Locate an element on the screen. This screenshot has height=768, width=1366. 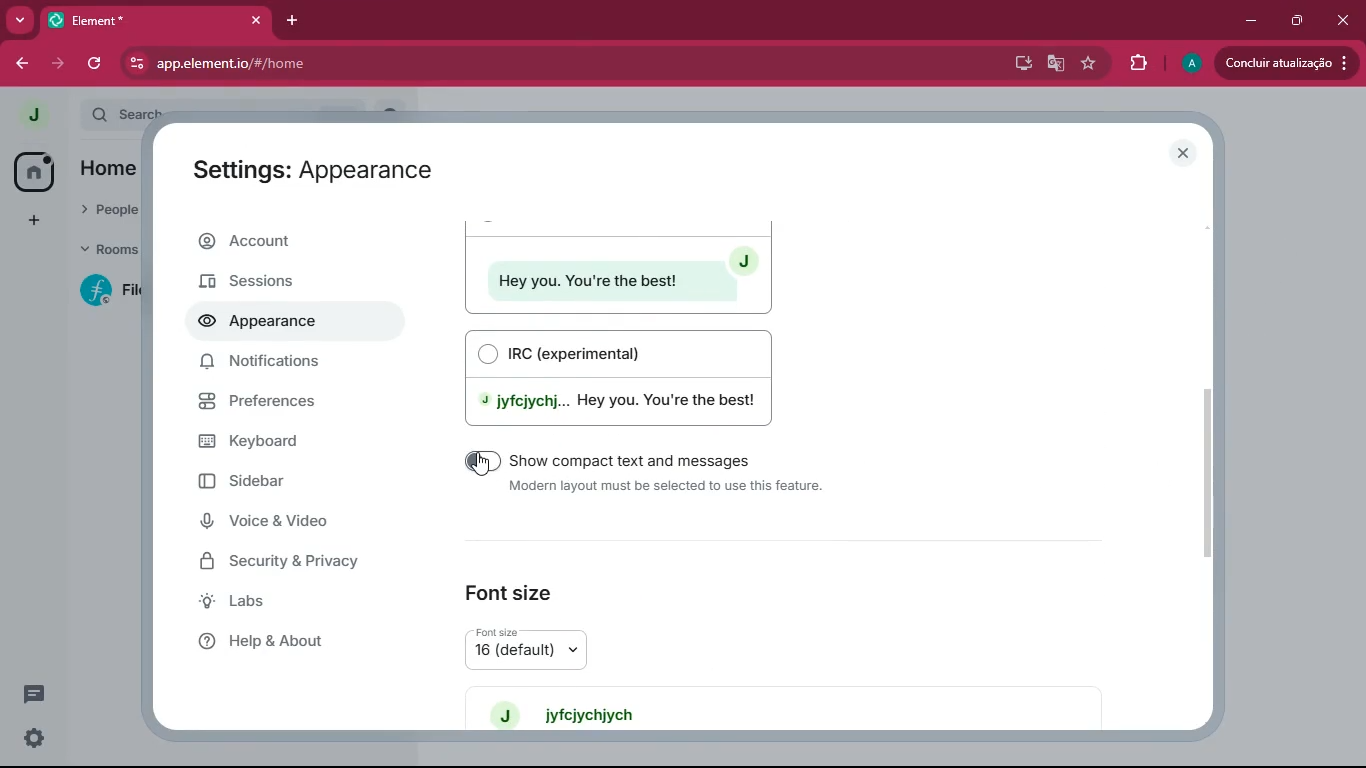
modern is located at coordinates (617, 266).